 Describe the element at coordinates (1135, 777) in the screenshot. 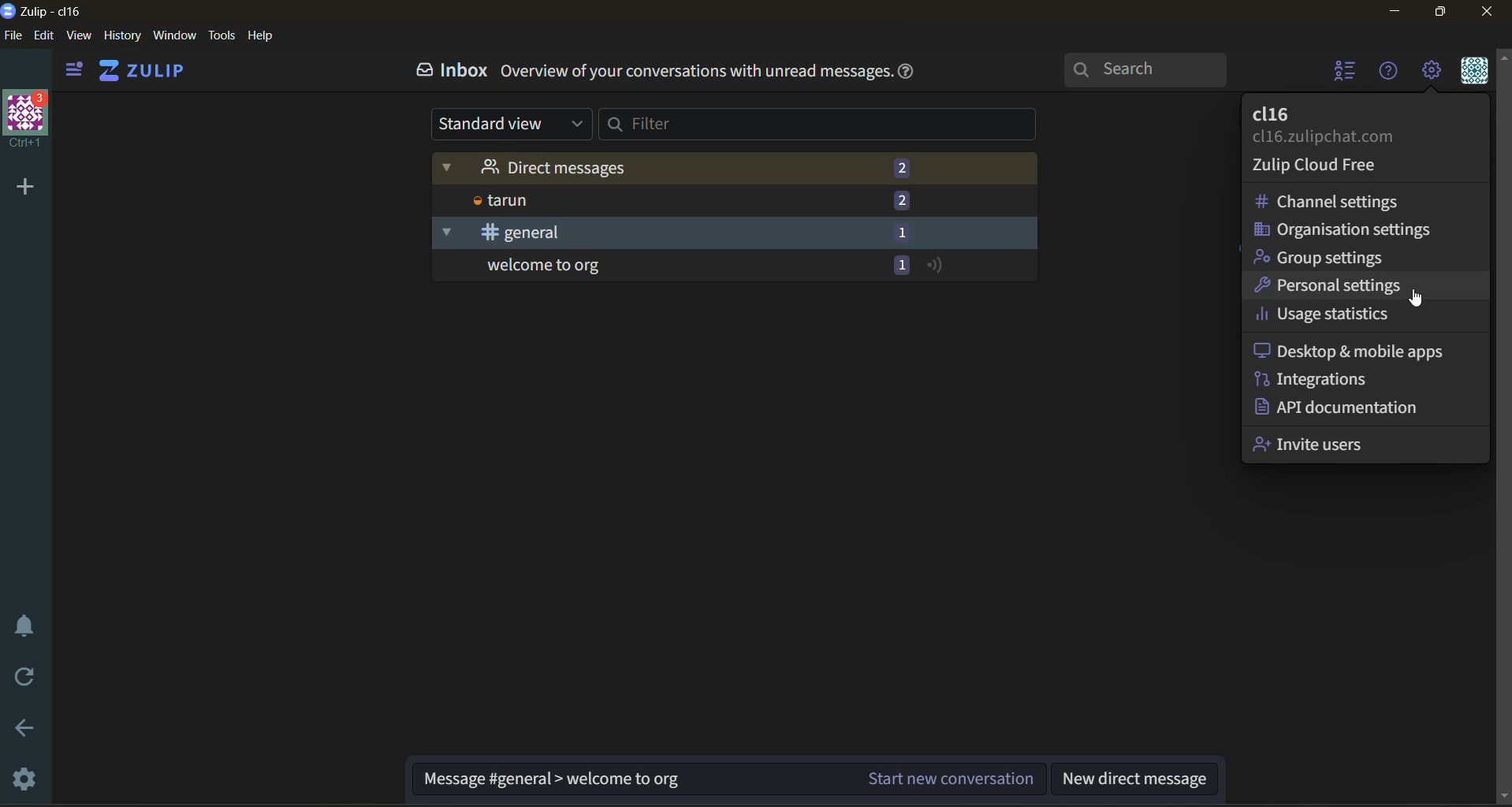

I see `new direct message` at that location.